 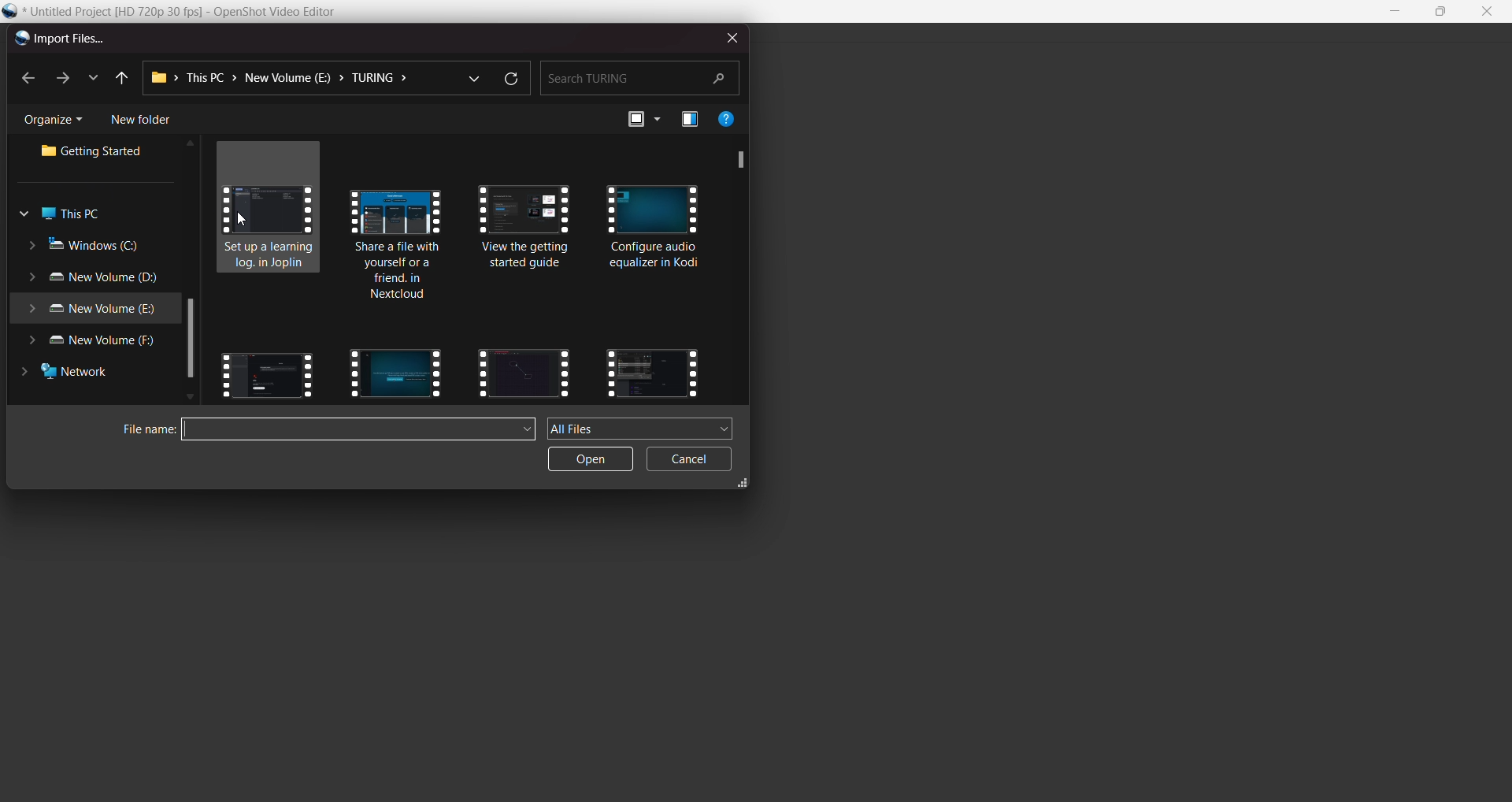 I want to click on expand, so click(x=744, y=485).